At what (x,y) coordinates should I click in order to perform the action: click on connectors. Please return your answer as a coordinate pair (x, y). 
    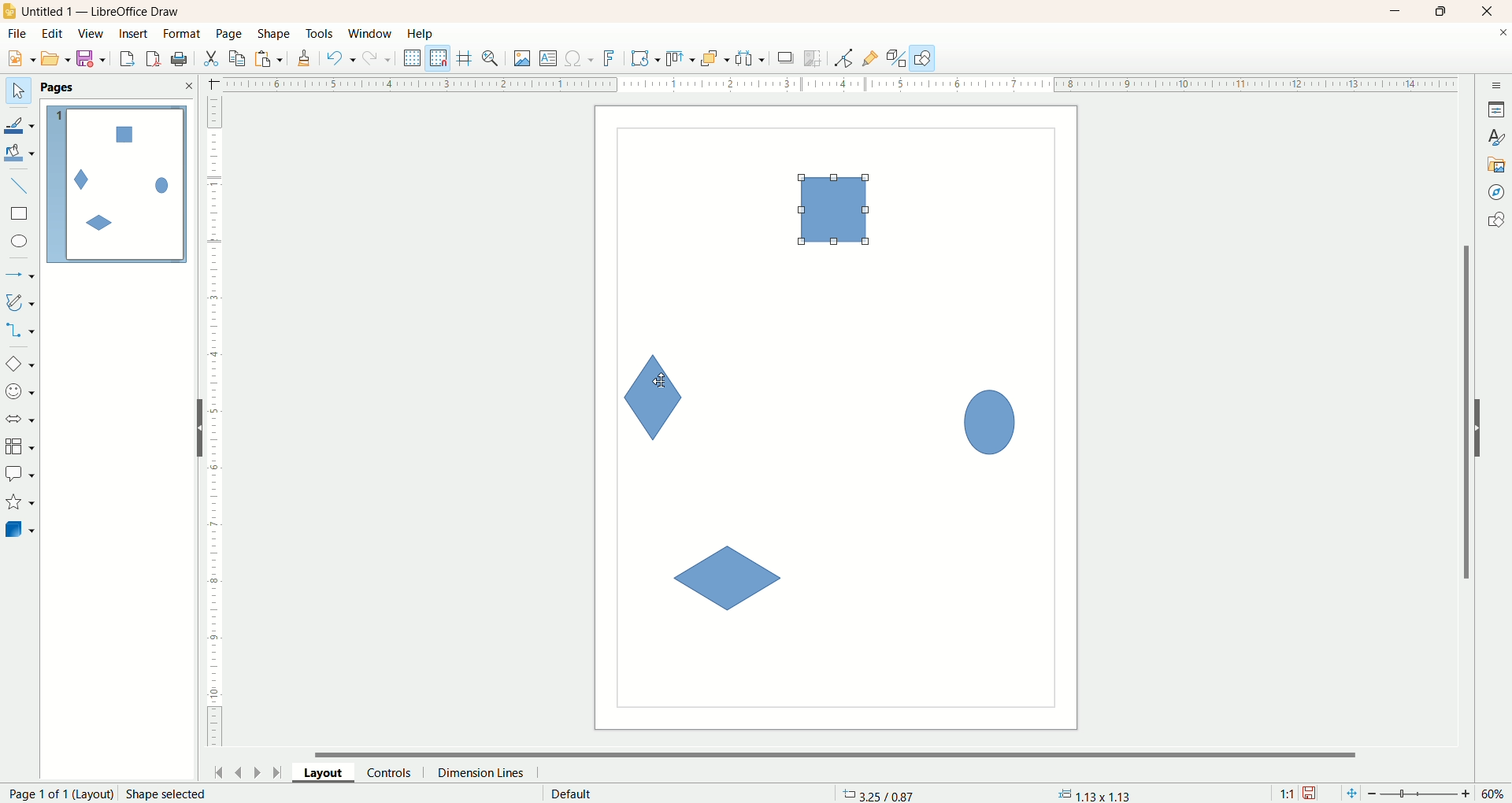
    Looking at the image, I should click on (20, 330).